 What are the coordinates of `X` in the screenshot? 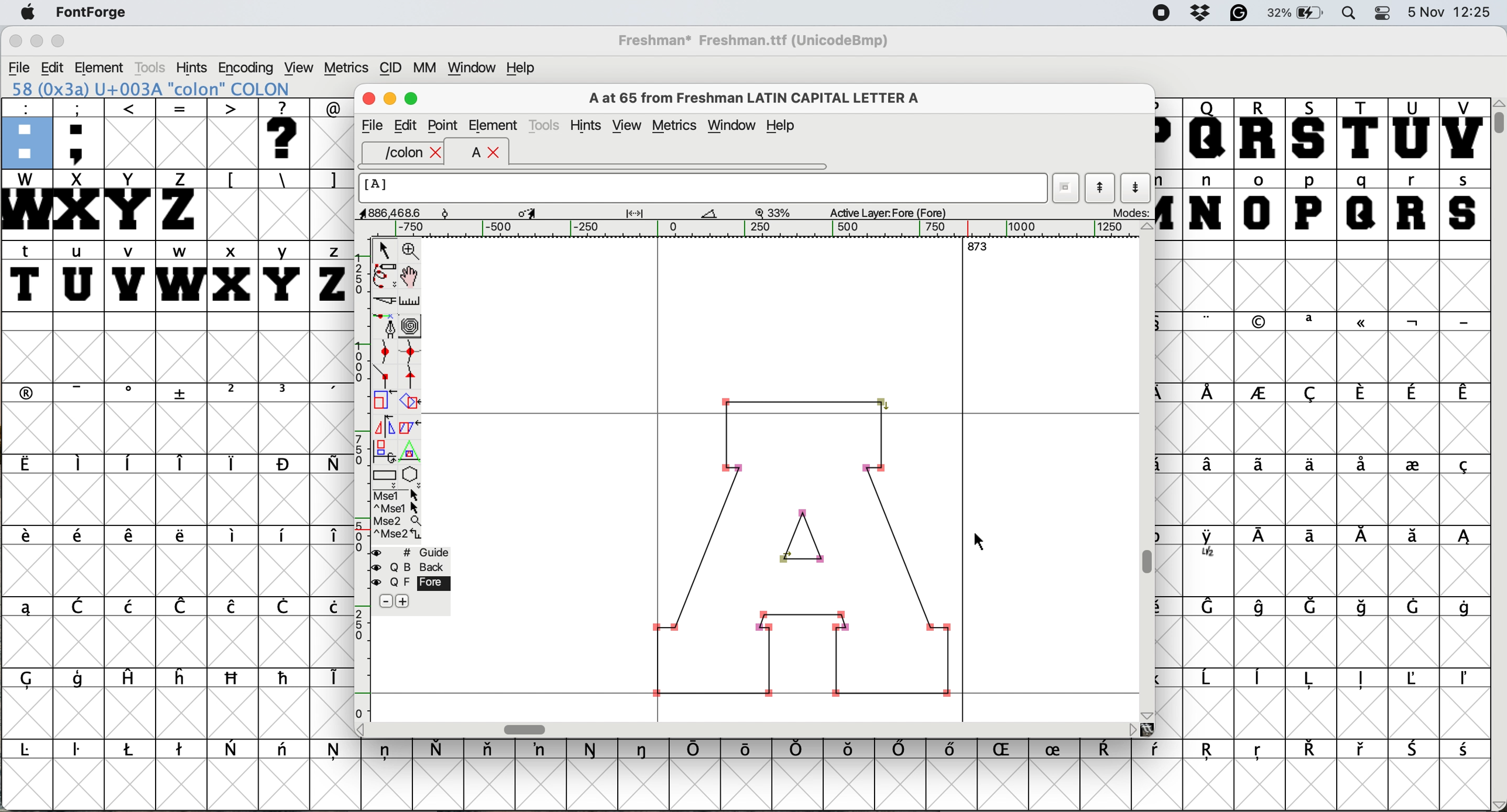 It's located at (78, 205).